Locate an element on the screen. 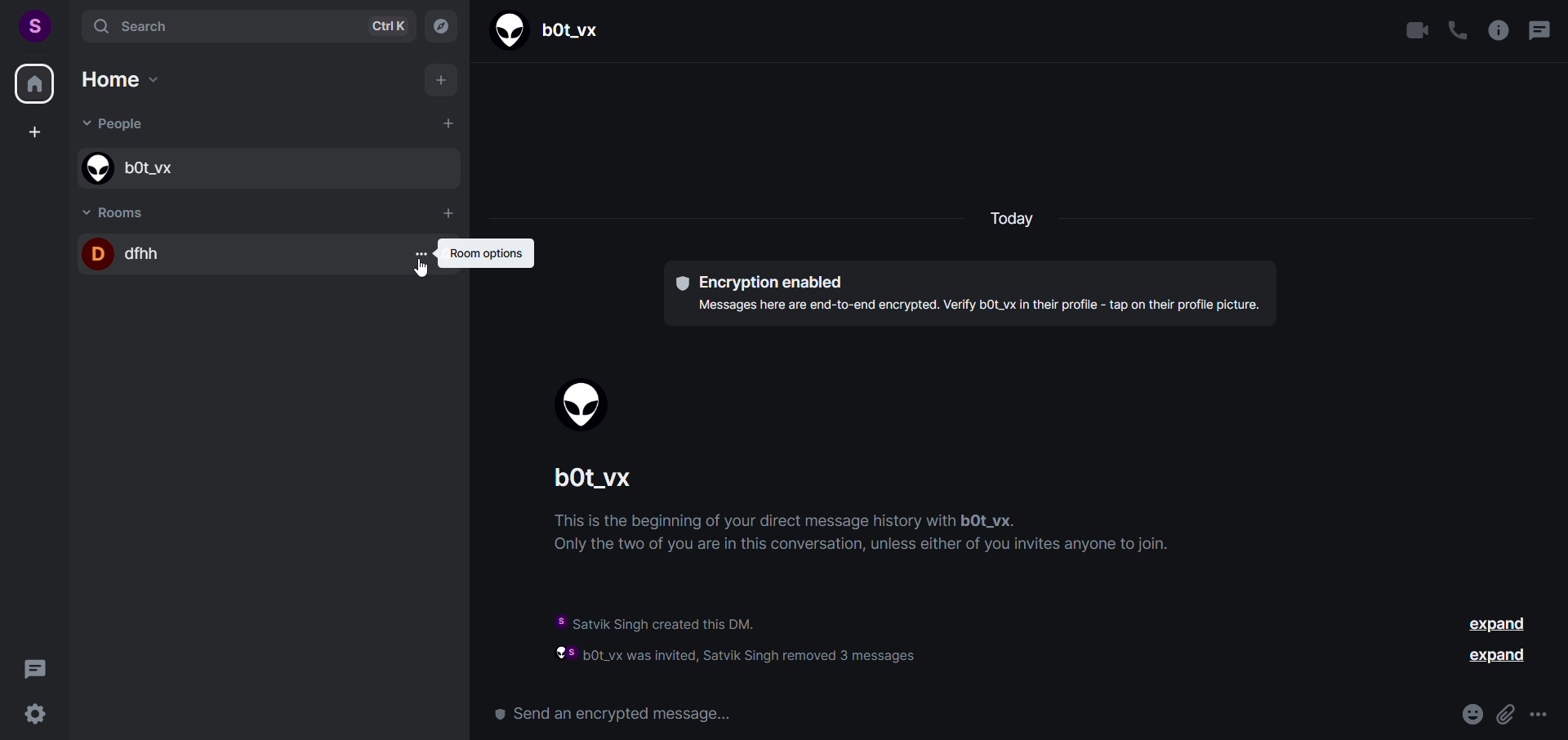  explore is located at coordinates (440, 25).